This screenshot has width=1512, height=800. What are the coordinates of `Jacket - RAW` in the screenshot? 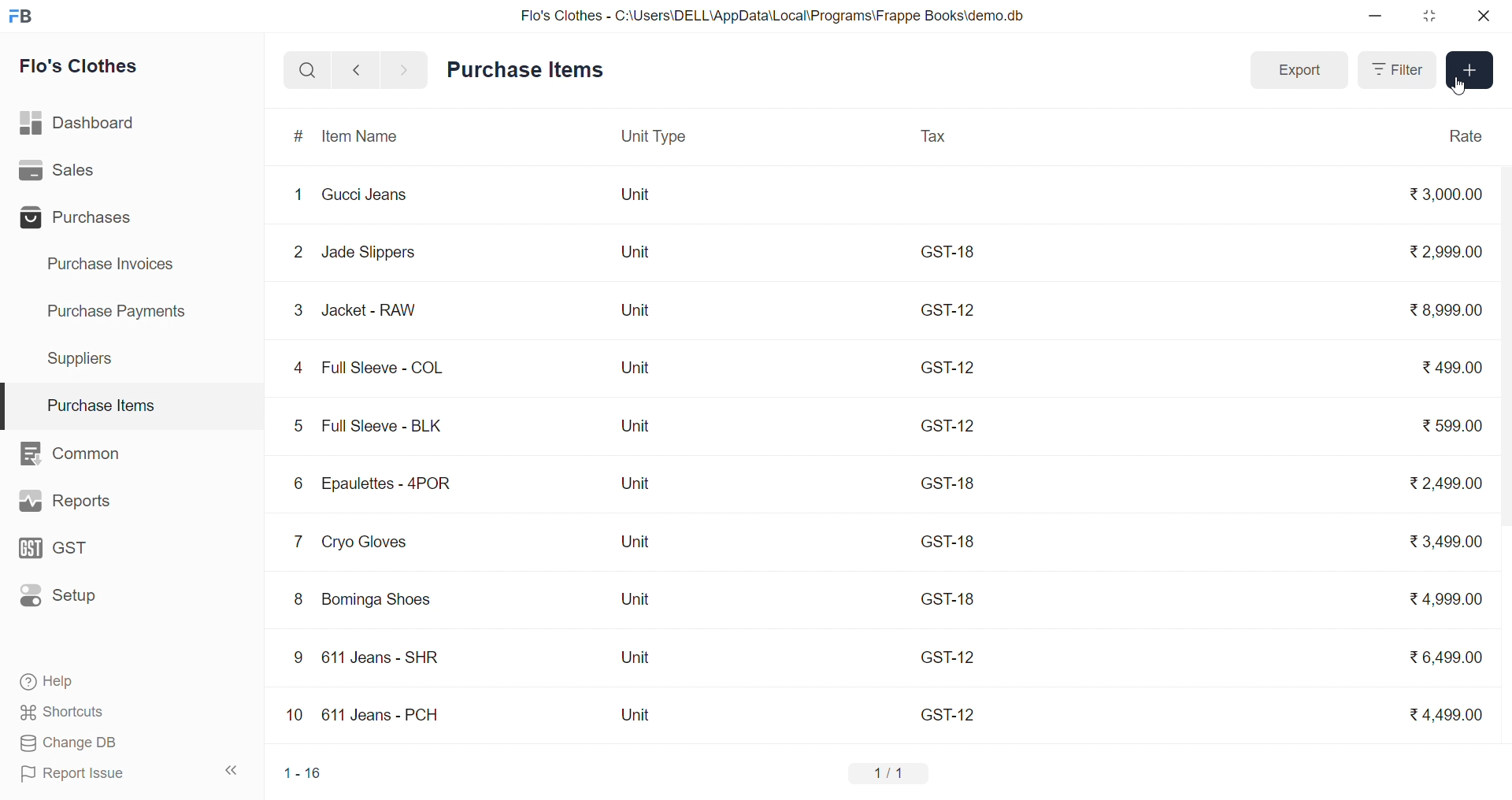 It's located at (374, 310).